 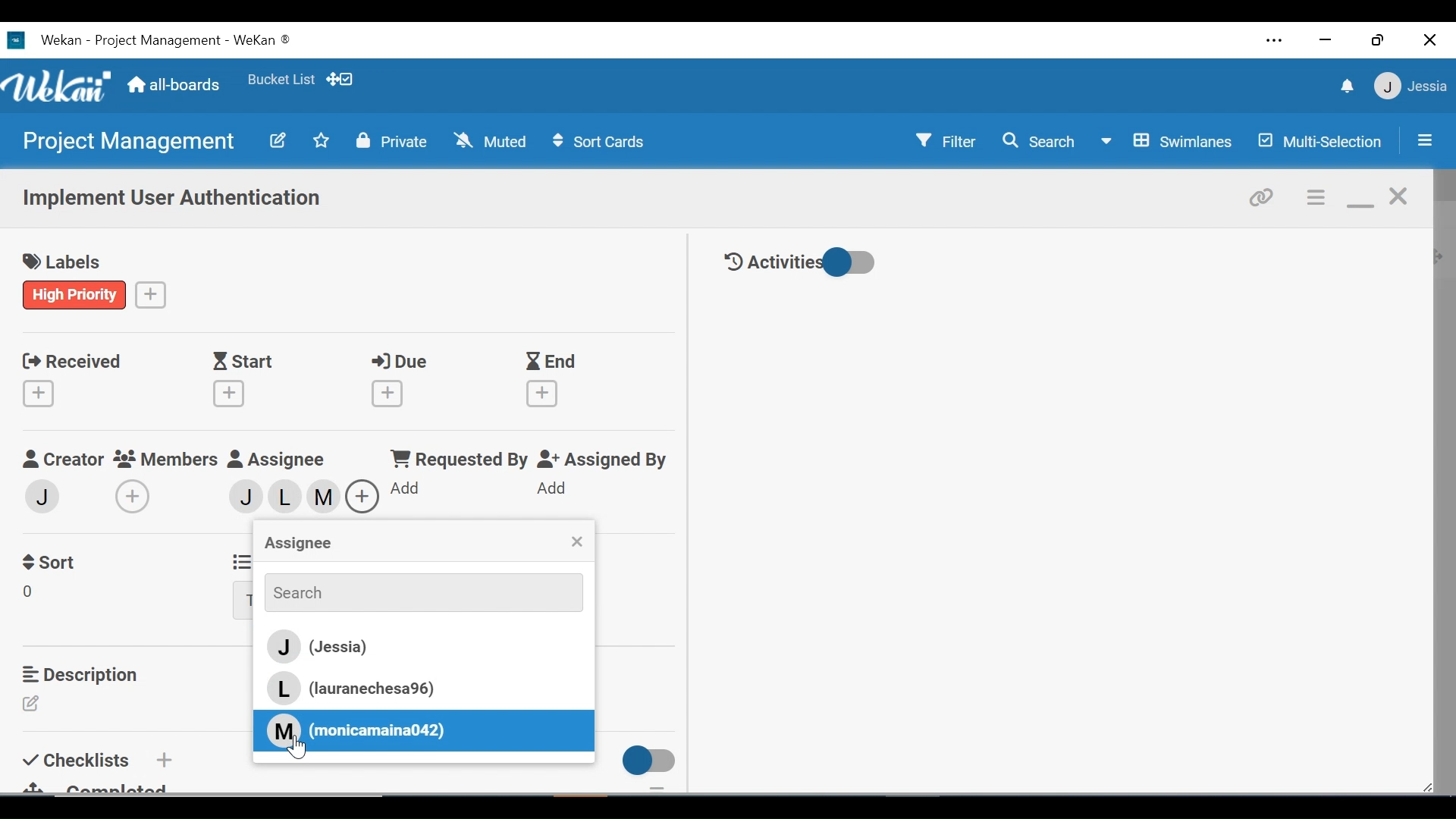 I want to click on Requested By, so click(x=453, y=459).